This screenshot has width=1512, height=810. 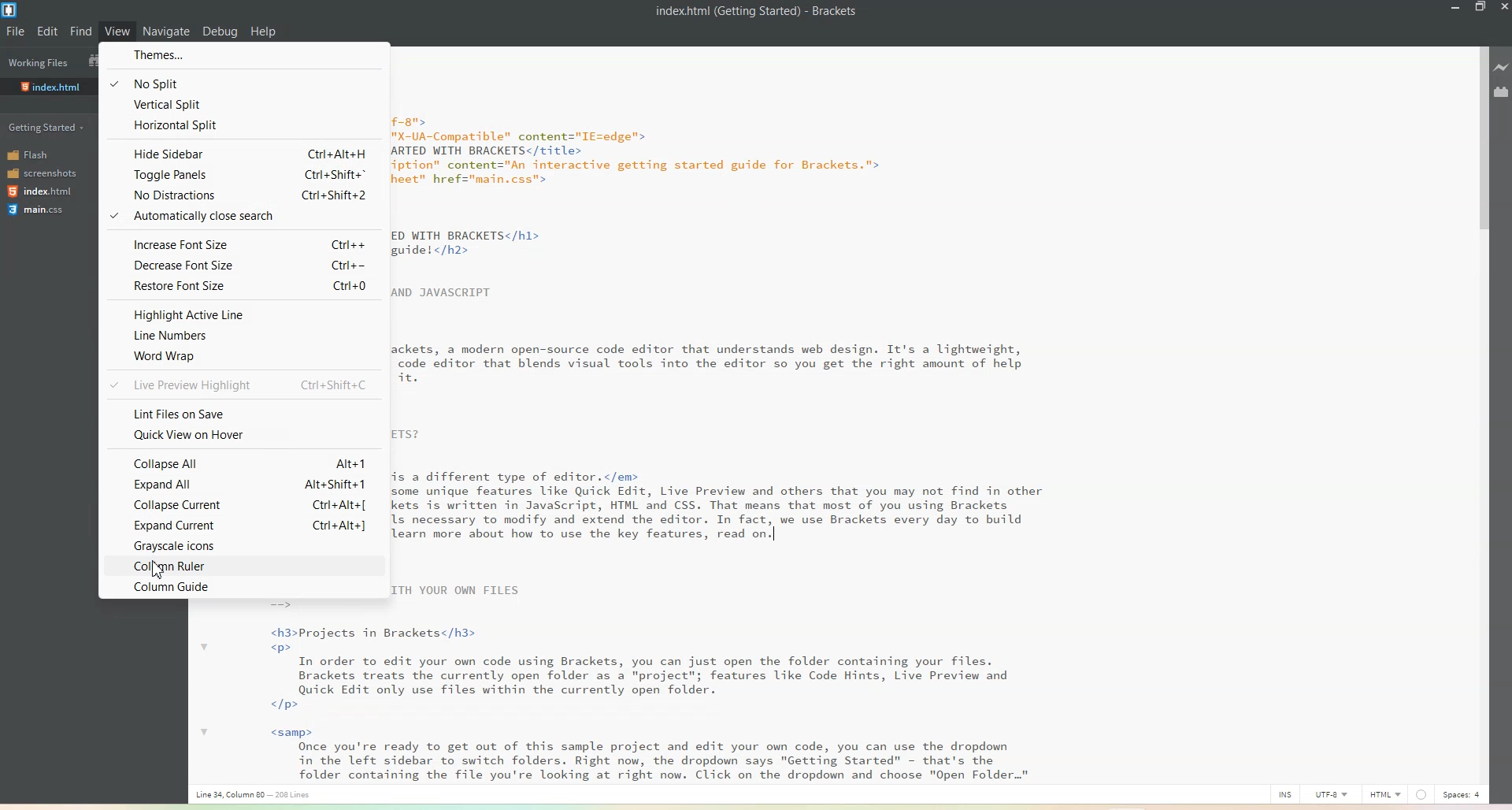 What do you see at coordinates (244, 413) in the screenshot?
I see `Lint Files on Save` at bounding box center [244, 413].